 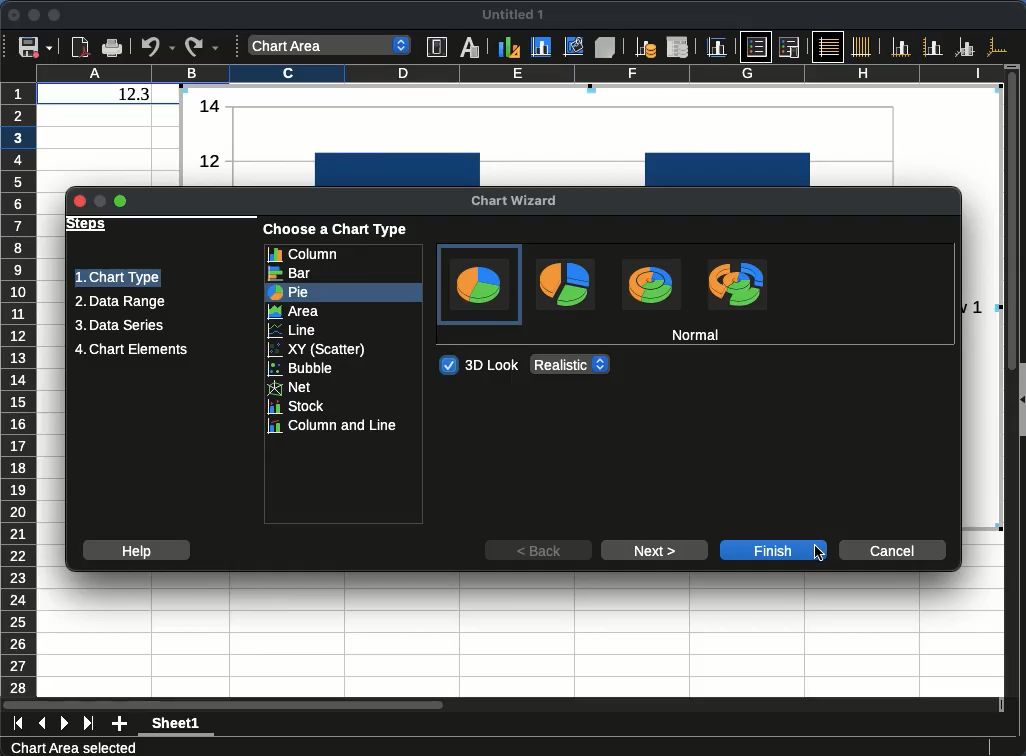 What do you see at coordinates (136, 550) in the screenshot?
I see `help` at bounding box center [136, 550].